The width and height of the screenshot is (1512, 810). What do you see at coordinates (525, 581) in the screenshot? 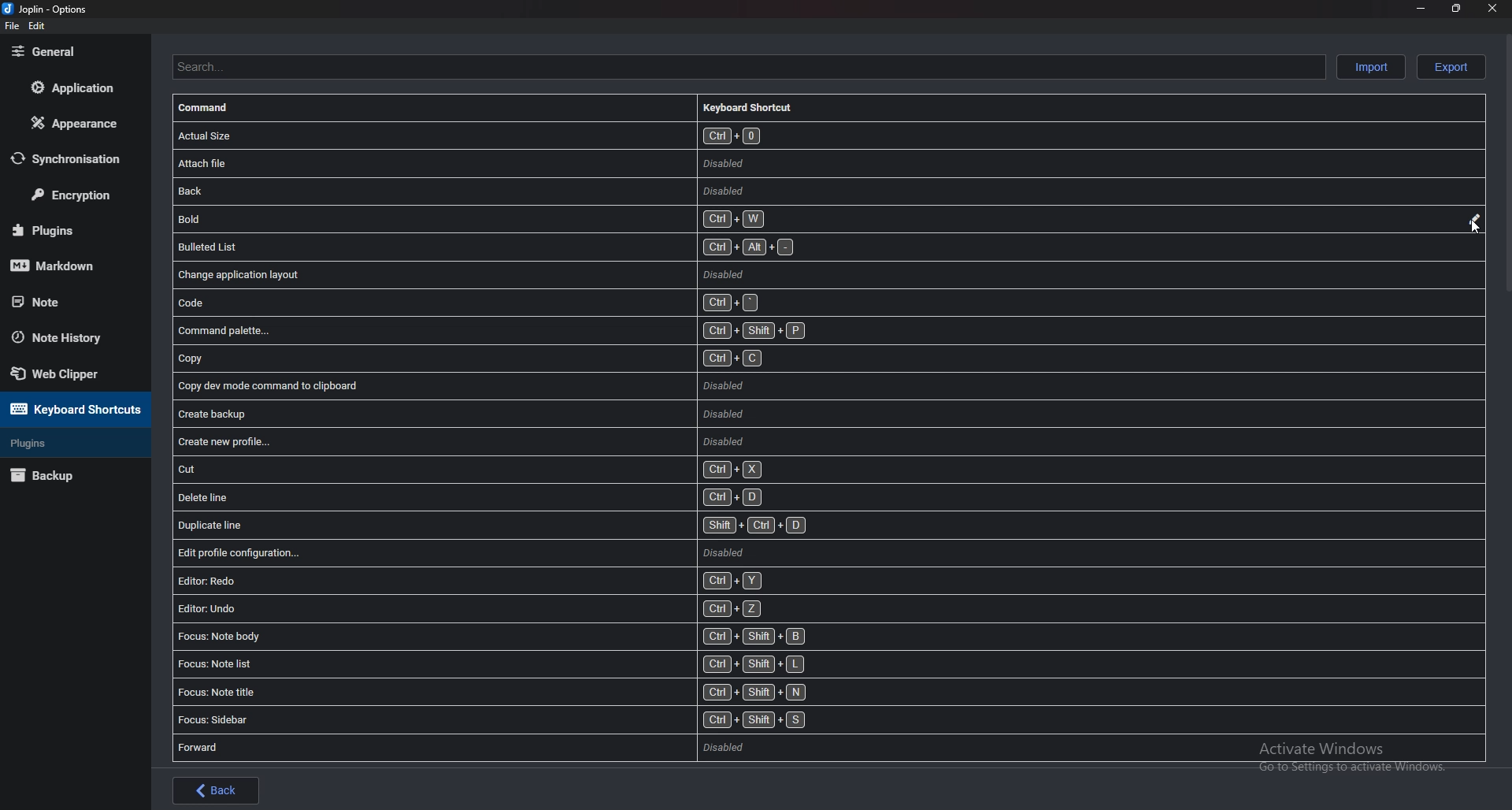
I see `editor: ratio` at bounding box center [525, 581].